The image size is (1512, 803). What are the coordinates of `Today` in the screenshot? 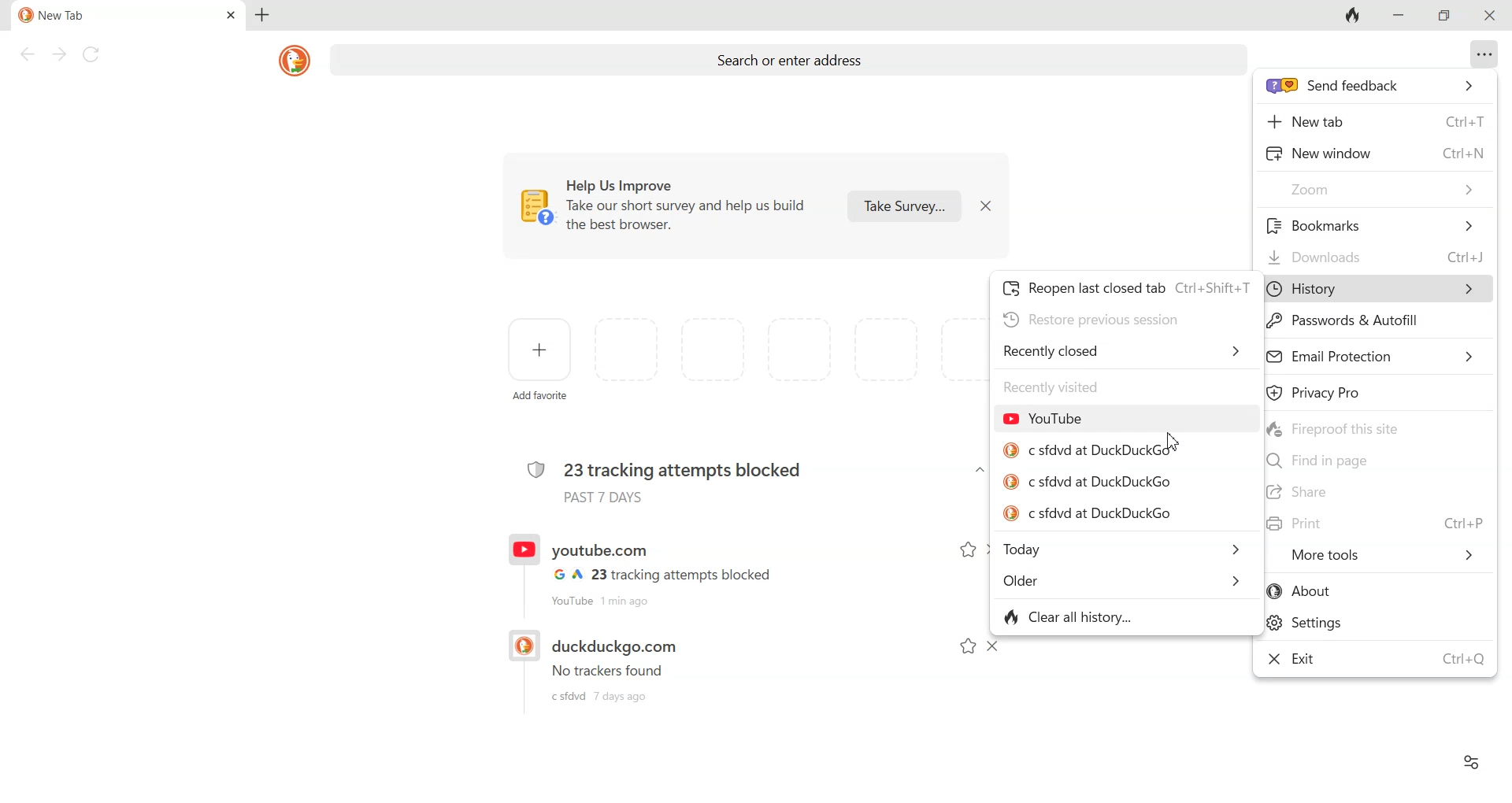 It's located at (1127, 550).